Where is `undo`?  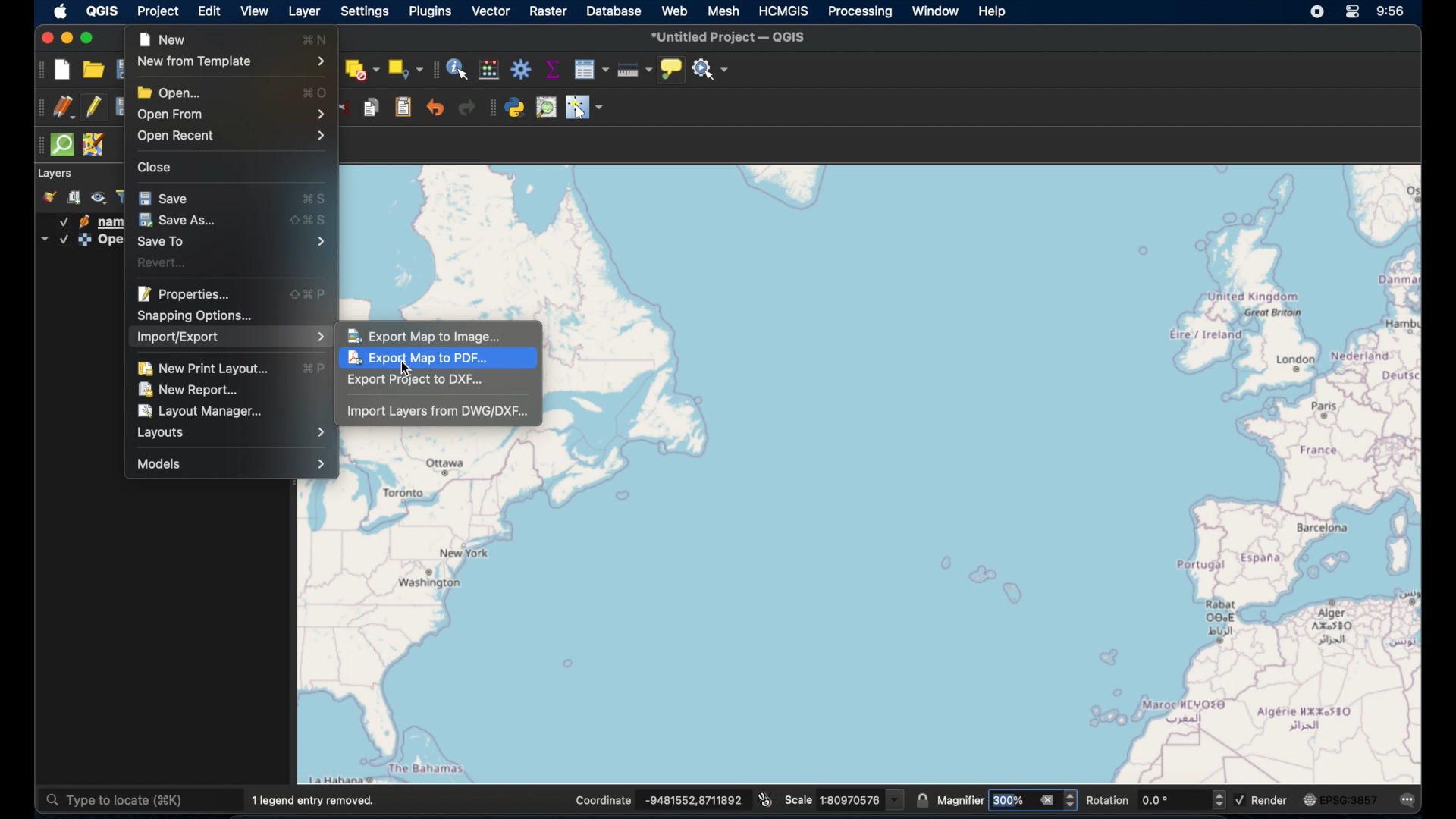
undo is located at coordinates (435, 107).